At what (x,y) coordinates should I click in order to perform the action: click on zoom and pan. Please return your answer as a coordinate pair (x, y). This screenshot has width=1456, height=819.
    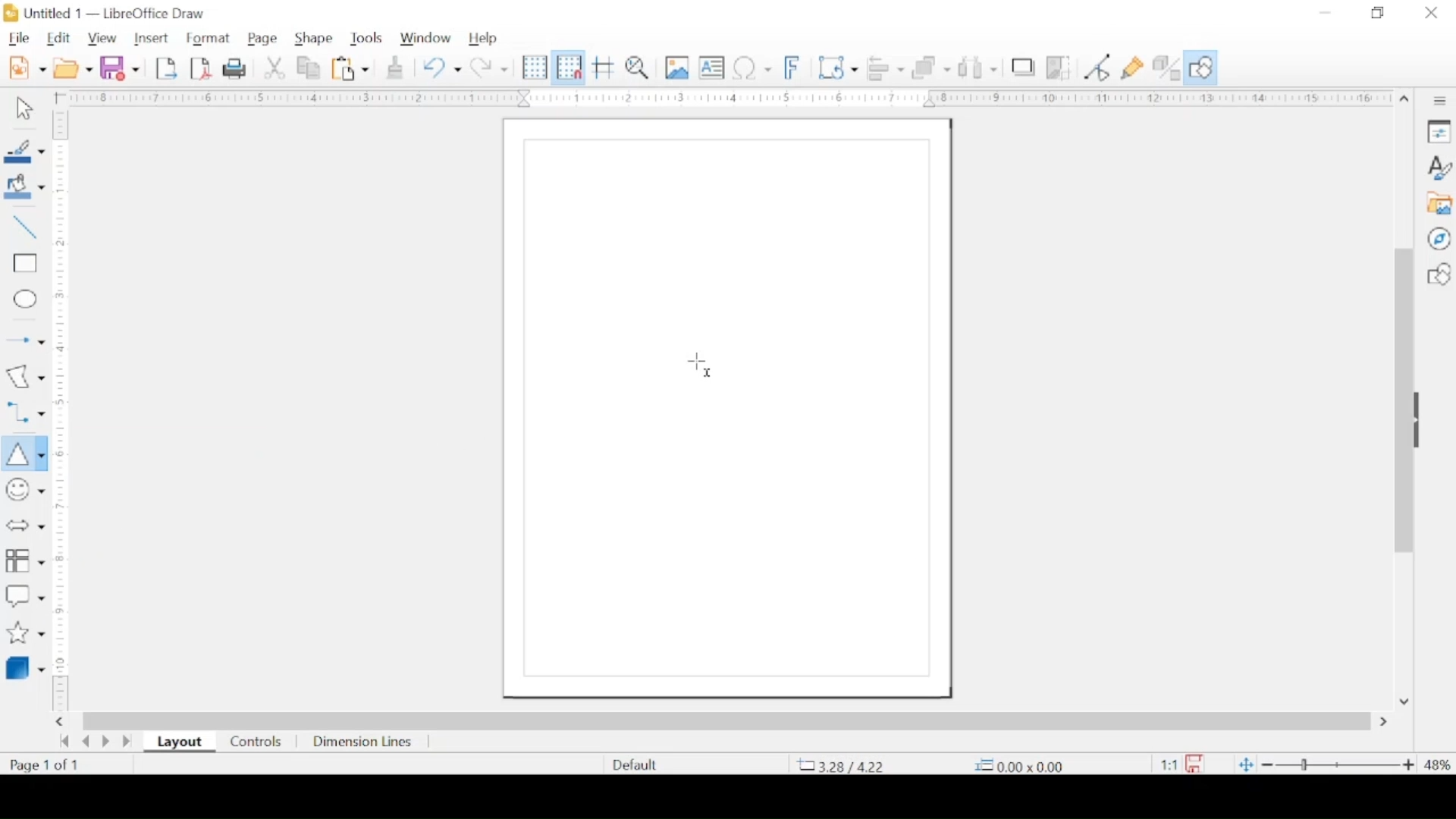
    Looking at the image, I should click on (638, 68).